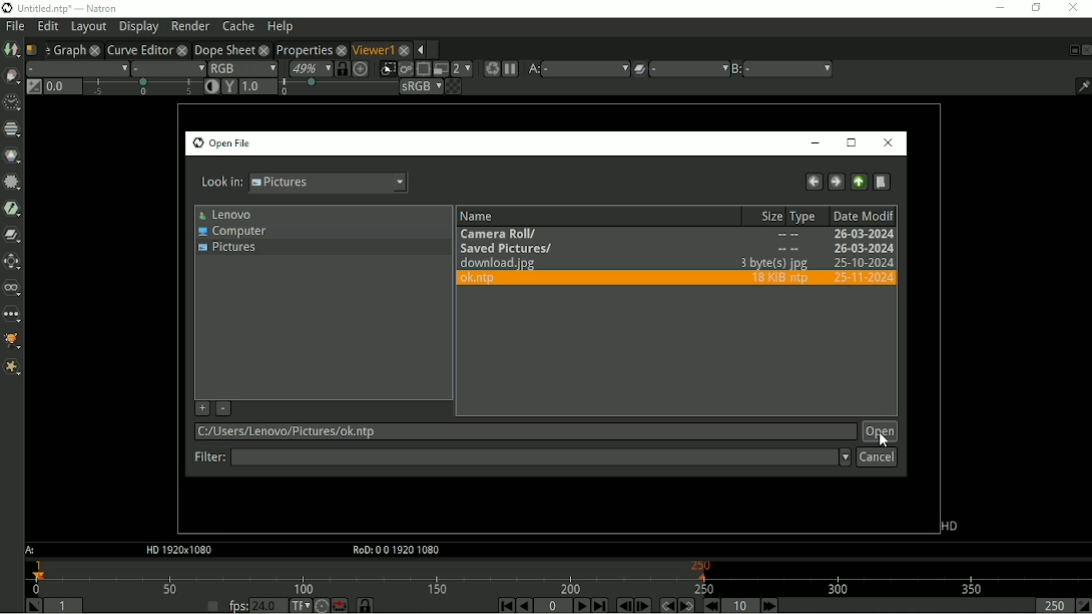 This screenshot has width=1092, height=614. Describe the element at coordinates (339, 605) in the screenshot. I see `Behaviour` at that location.